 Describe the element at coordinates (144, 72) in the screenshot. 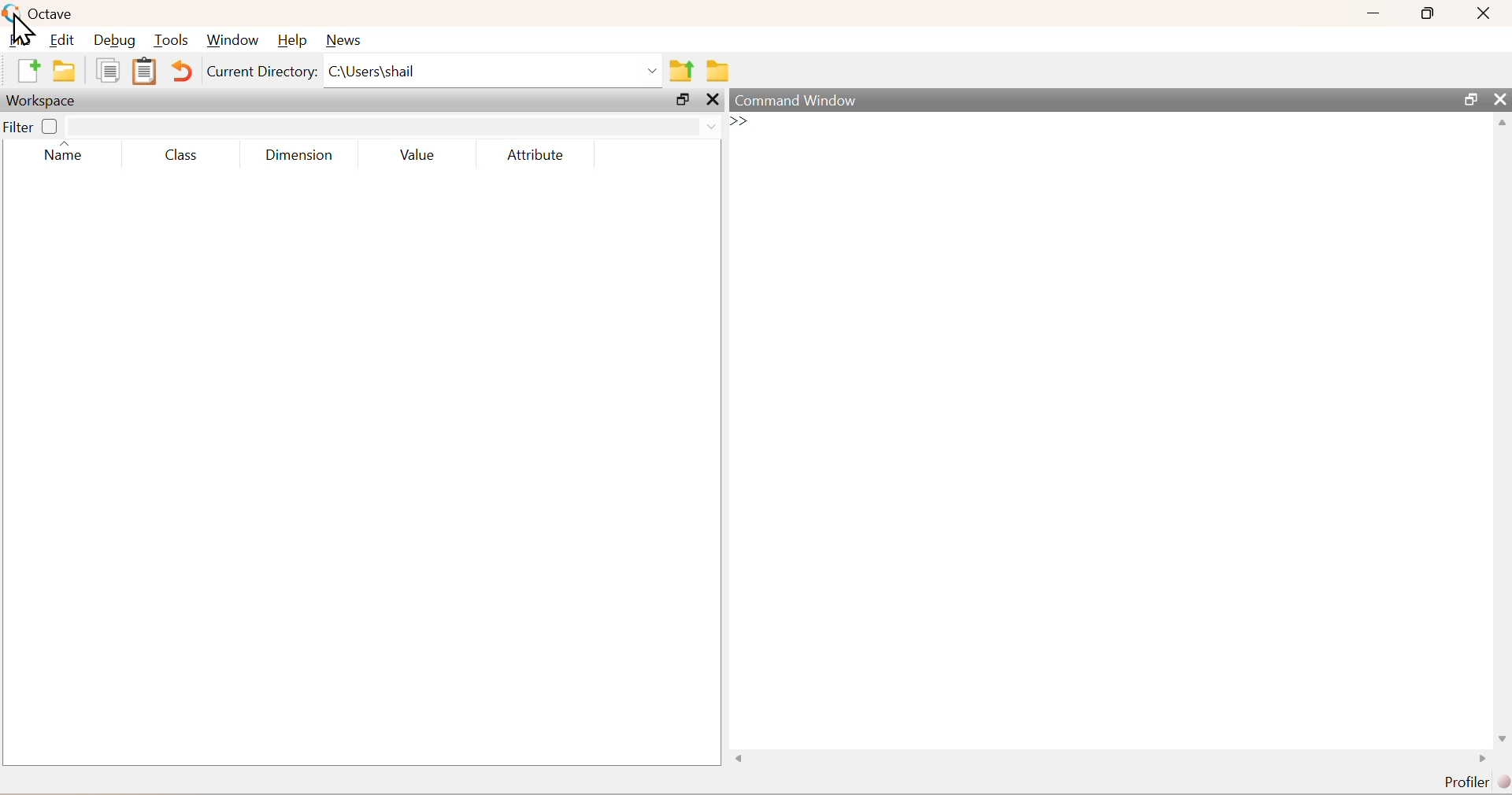

I see `document clipboard` at that location.